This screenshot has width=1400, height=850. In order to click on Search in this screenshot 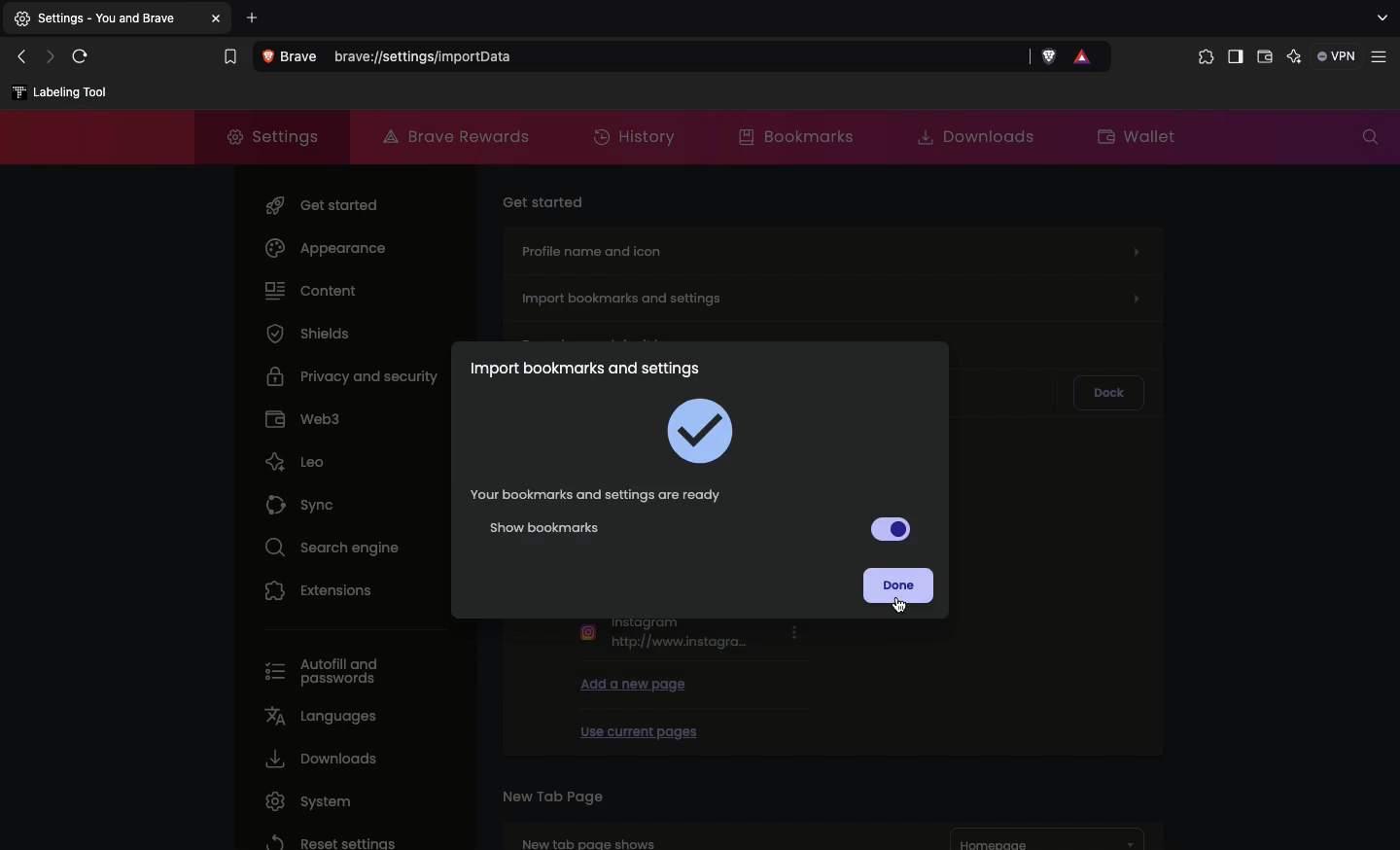, I will do `click(1370, 137)`.